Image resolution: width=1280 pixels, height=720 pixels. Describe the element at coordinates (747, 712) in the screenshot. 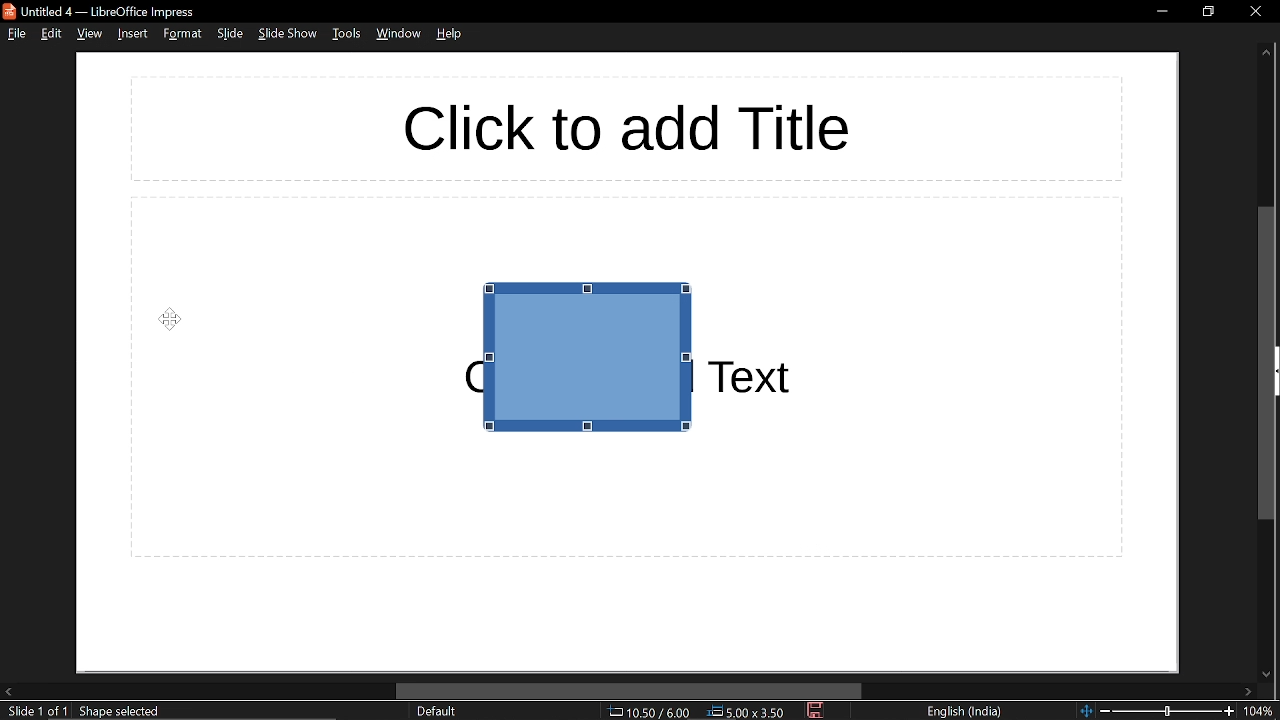

I see `position` at that location.